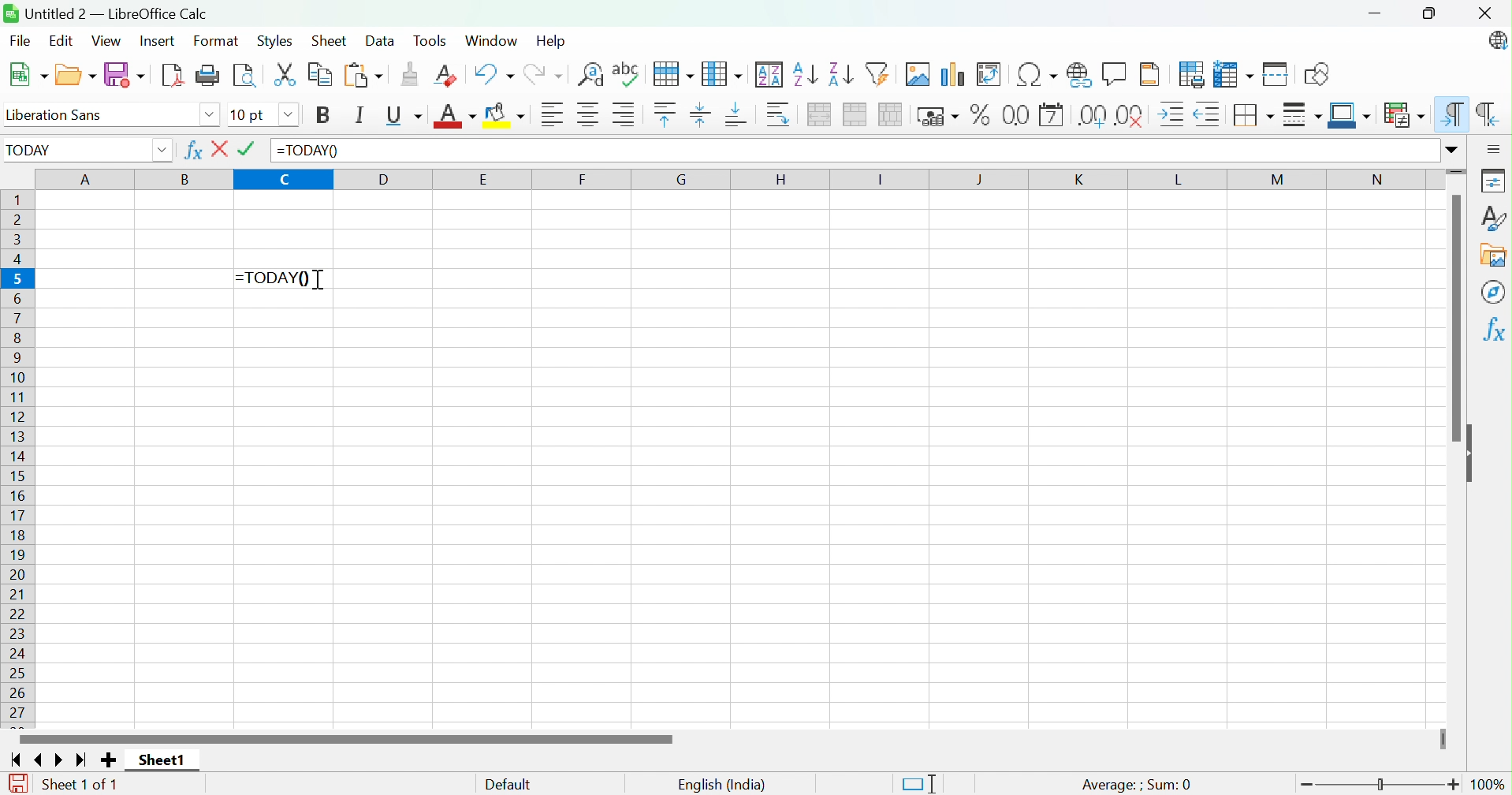 The height and width of the screenshot is (795, 1512). What do you see at coordinates (275, 39) in the screenshot?
I see `Styles` at bounding box center [275, 39].